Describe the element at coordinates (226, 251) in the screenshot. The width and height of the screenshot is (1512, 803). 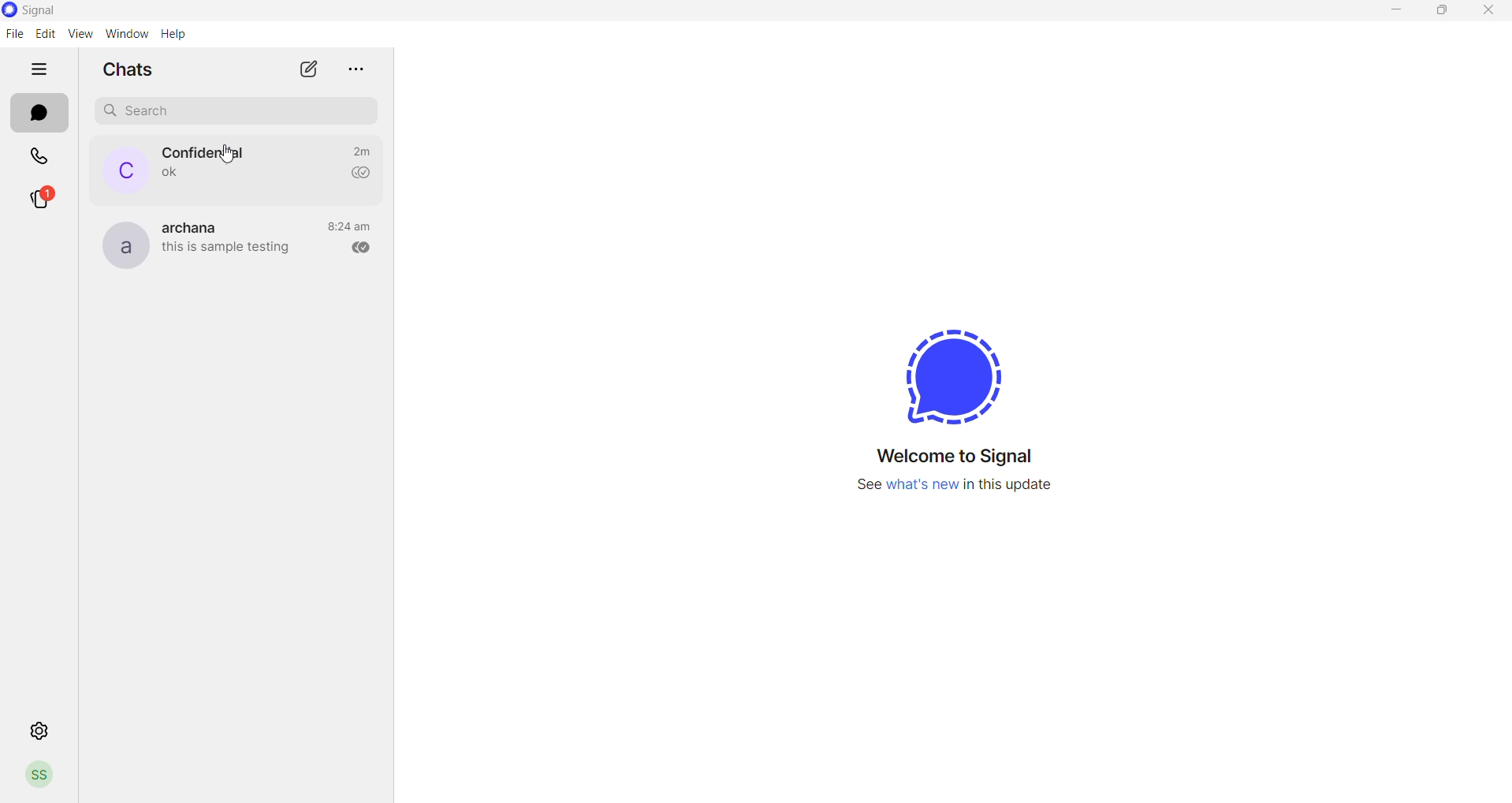
I see `last message` at that location.